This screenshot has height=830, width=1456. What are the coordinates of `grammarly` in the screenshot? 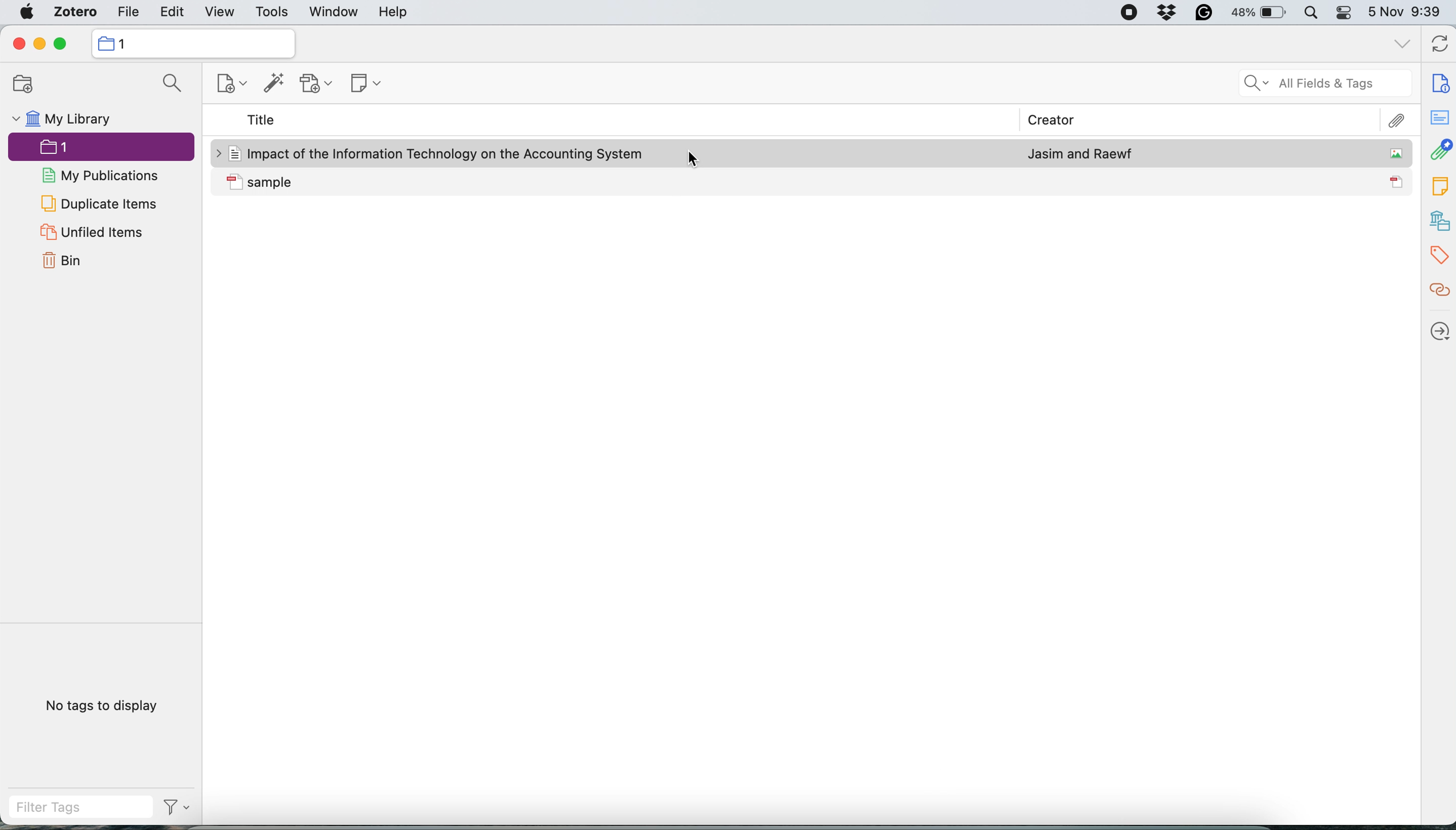 It's located at (1203, 13).